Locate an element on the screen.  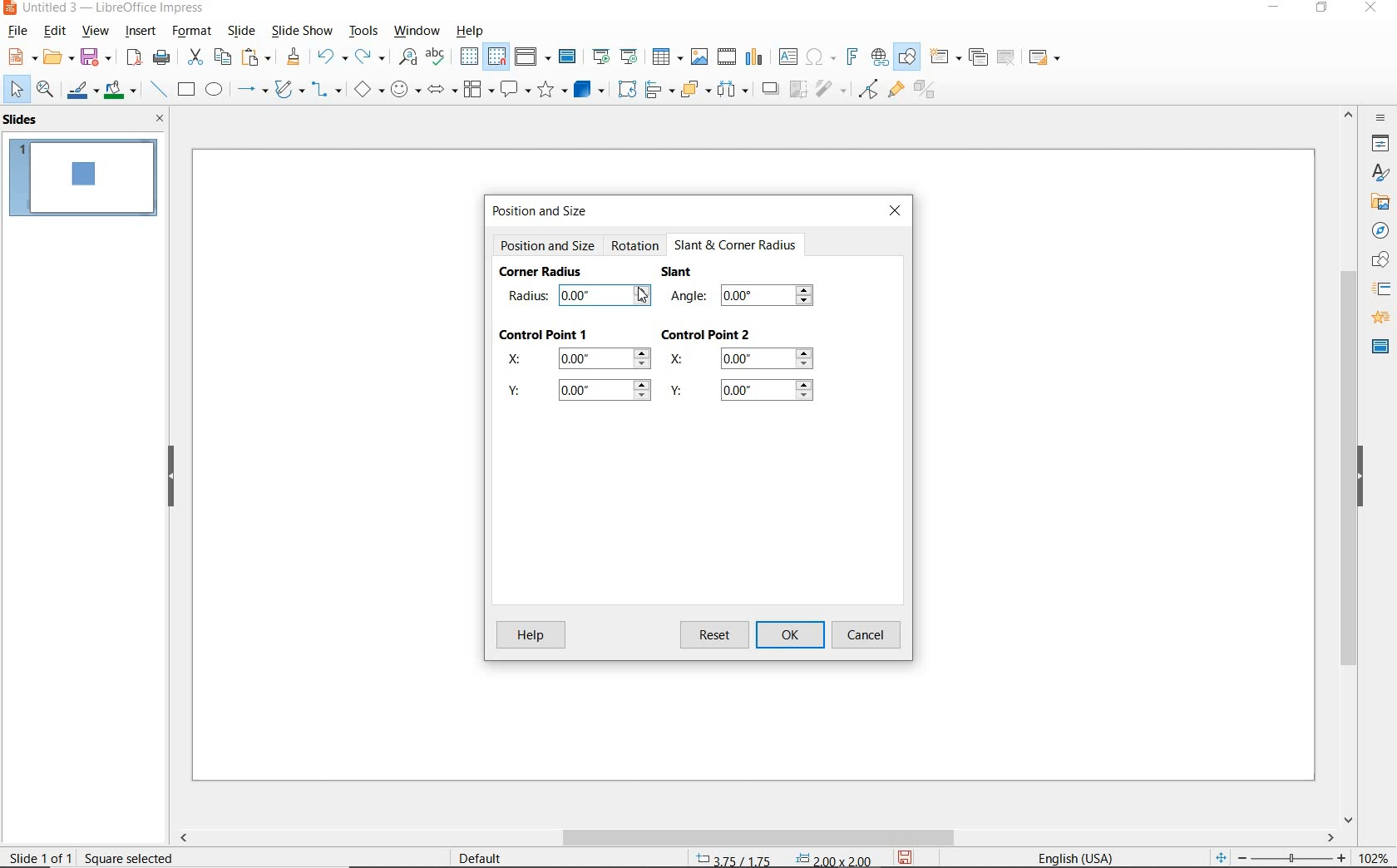
format is located at coordinates (194, 32).